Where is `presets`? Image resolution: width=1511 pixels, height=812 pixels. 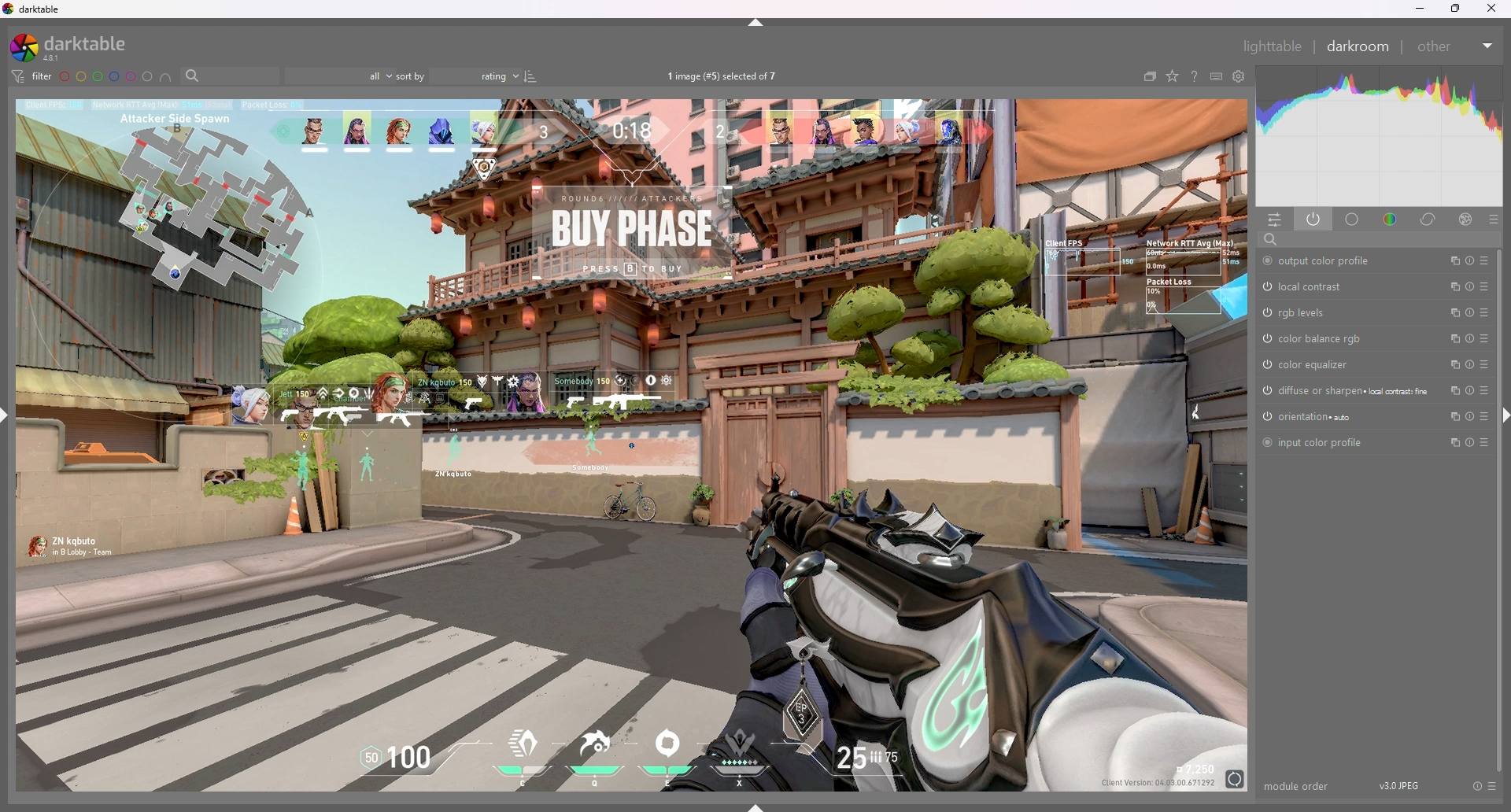 presets is located at coordinates (1493, 786).